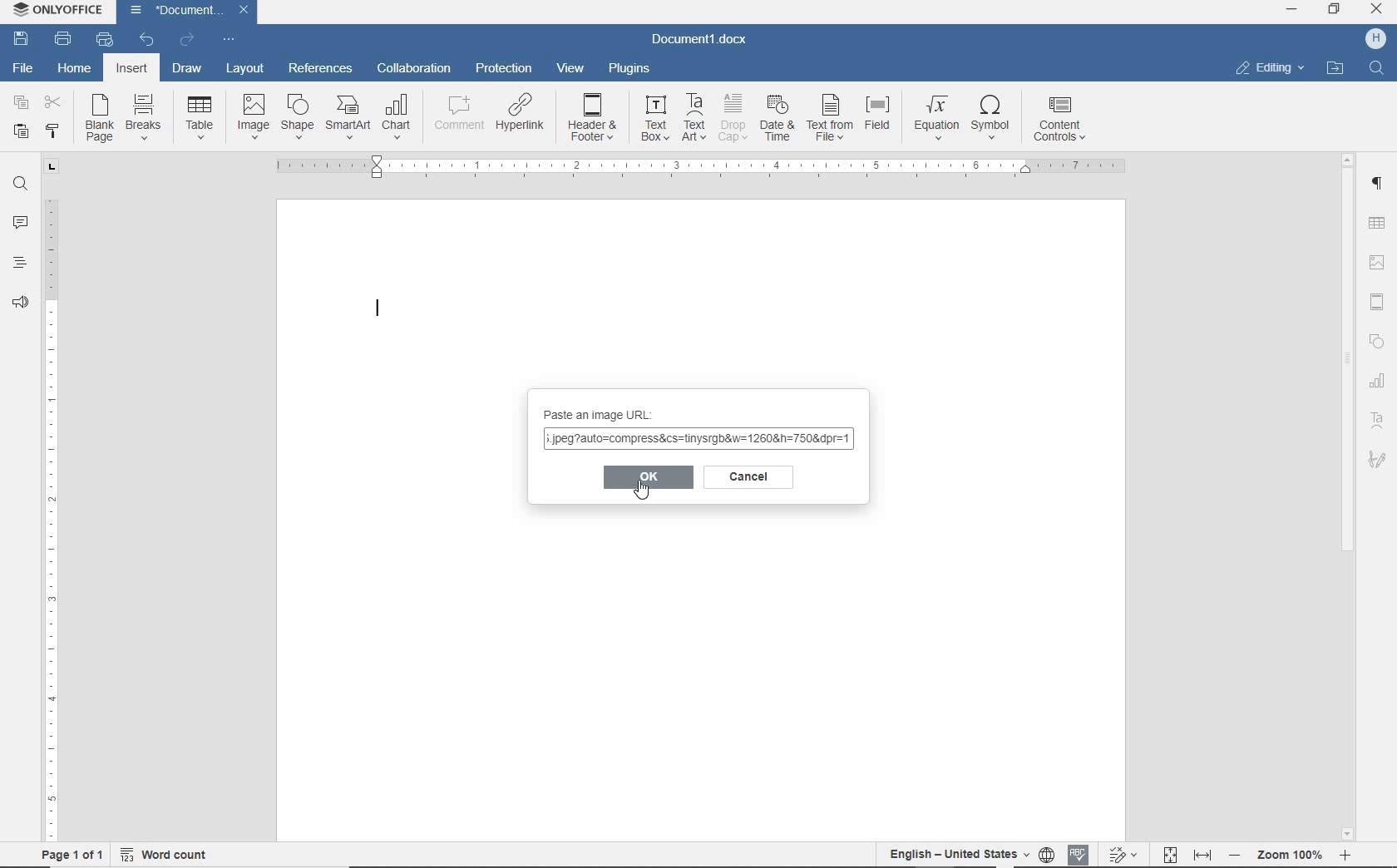 This screenshot has height=868, width=1397. What do you see at coordinates (881, 118) in the screenshot?
I see `field` at bounding box center [881, 118].